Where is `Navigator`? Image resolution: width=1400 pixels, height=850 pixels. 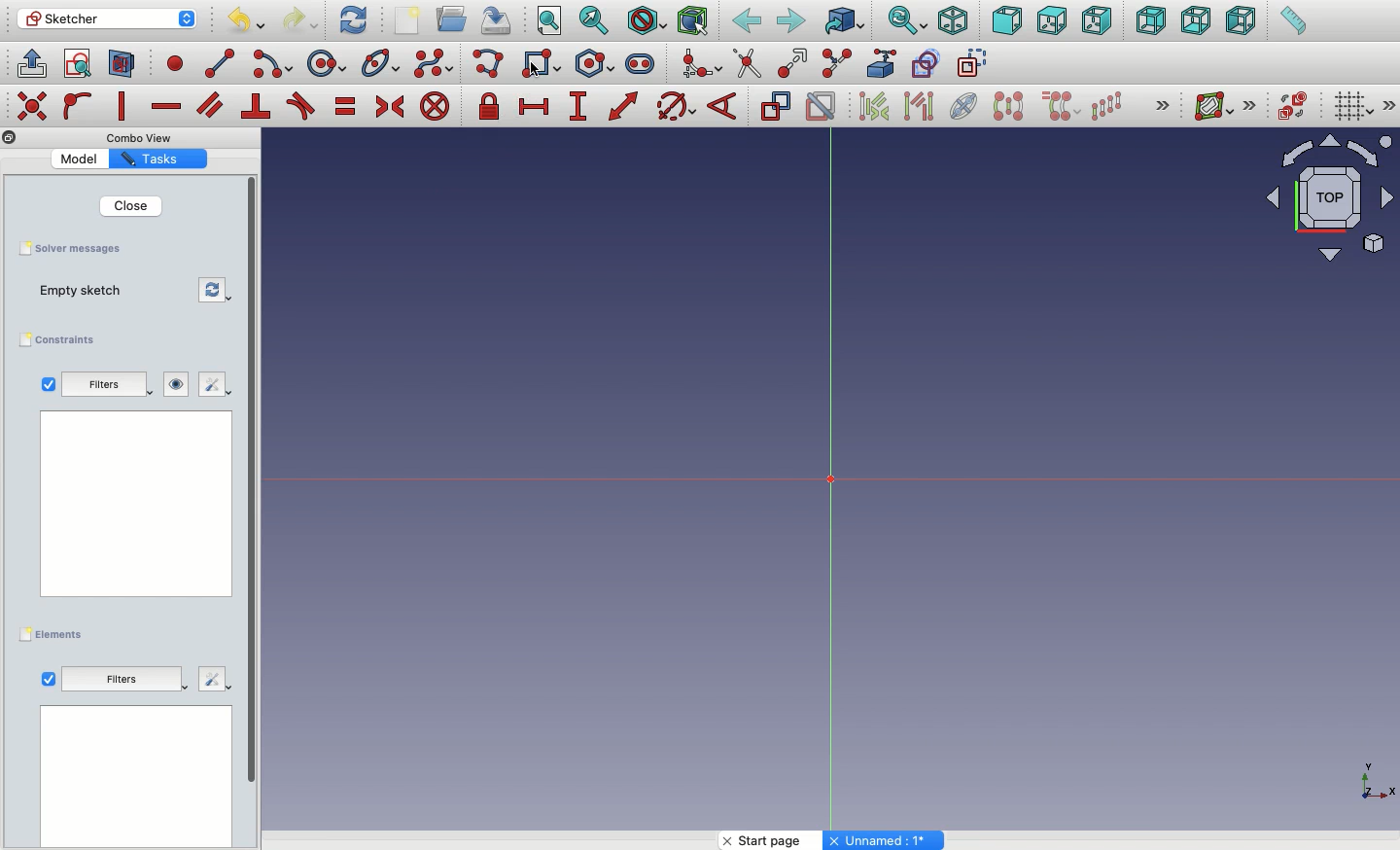
Navigator is located at coordinates (1330, 198).